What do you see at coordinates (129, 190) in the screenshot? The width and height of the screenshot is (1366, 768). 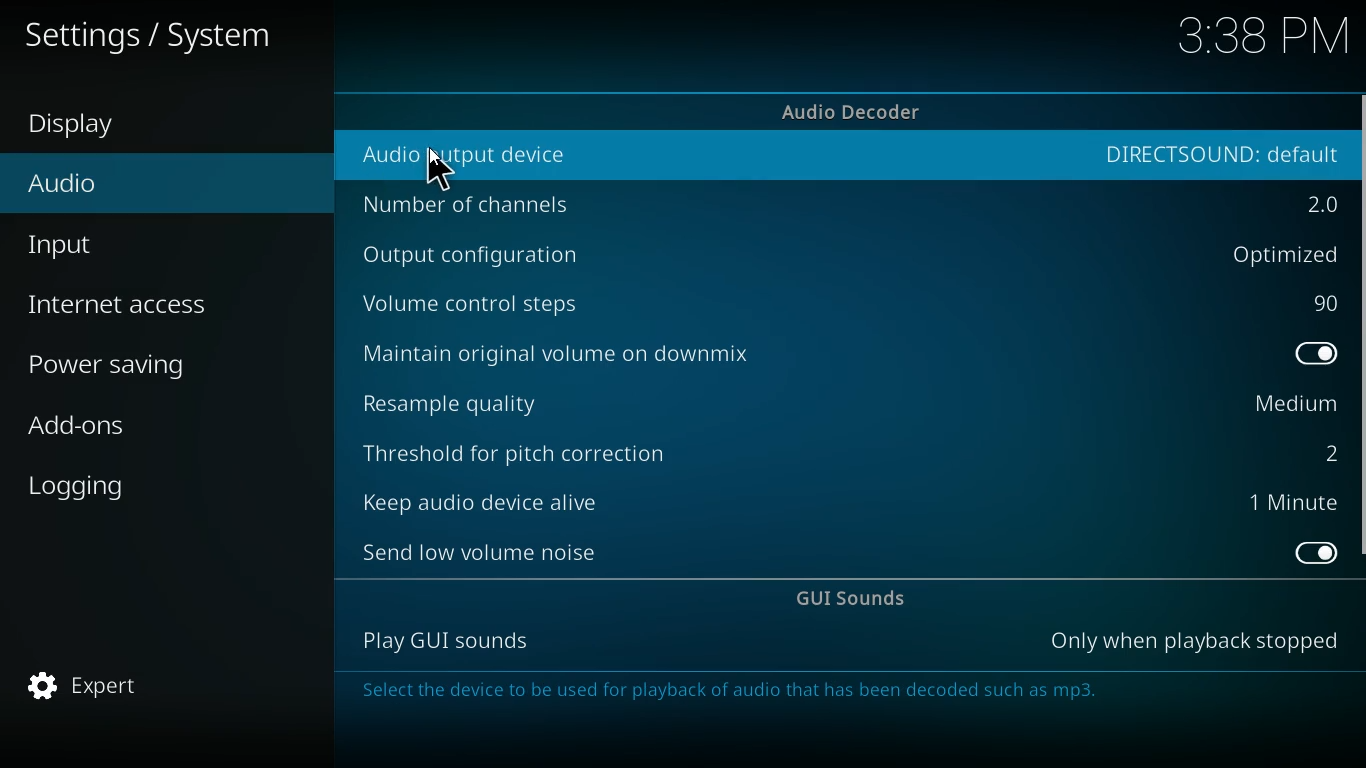 I see `audio` at bounding box center [129, 190].